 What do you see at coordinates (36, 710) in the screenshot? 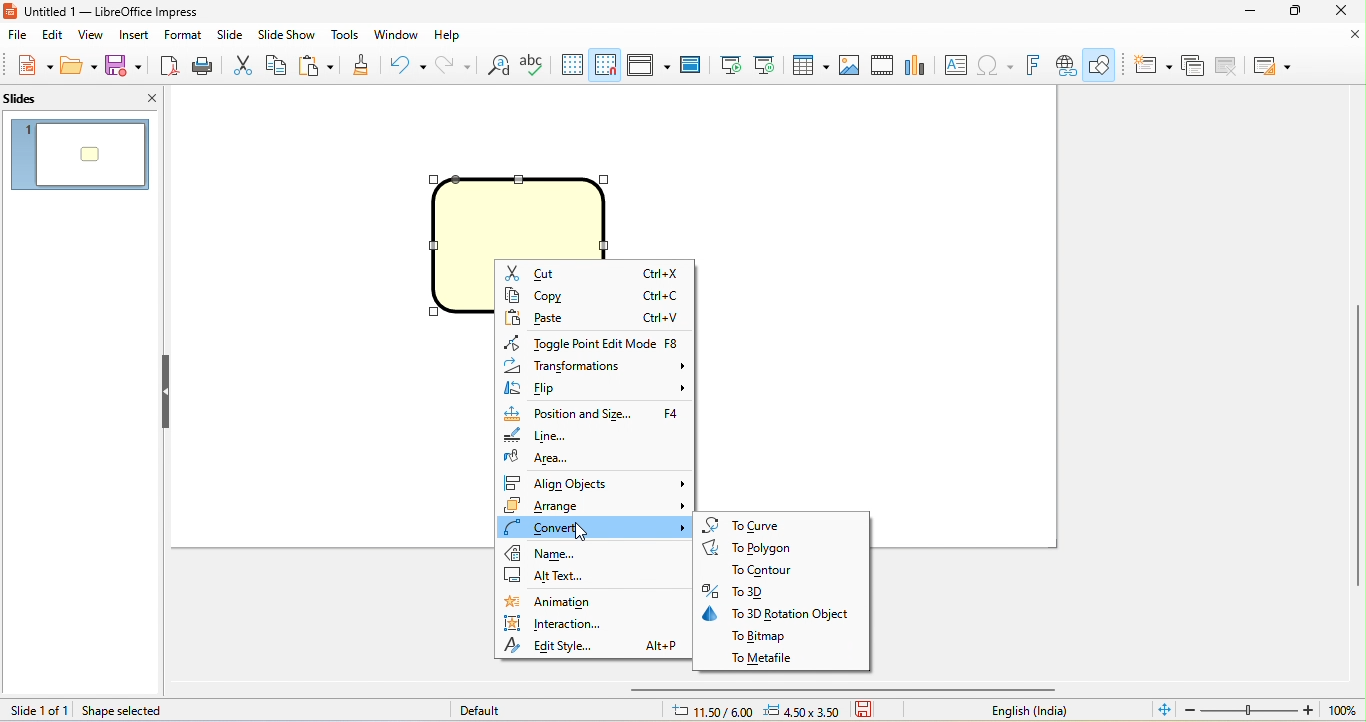
I see `slide 1 to 1` at bounding box center [36, 710].